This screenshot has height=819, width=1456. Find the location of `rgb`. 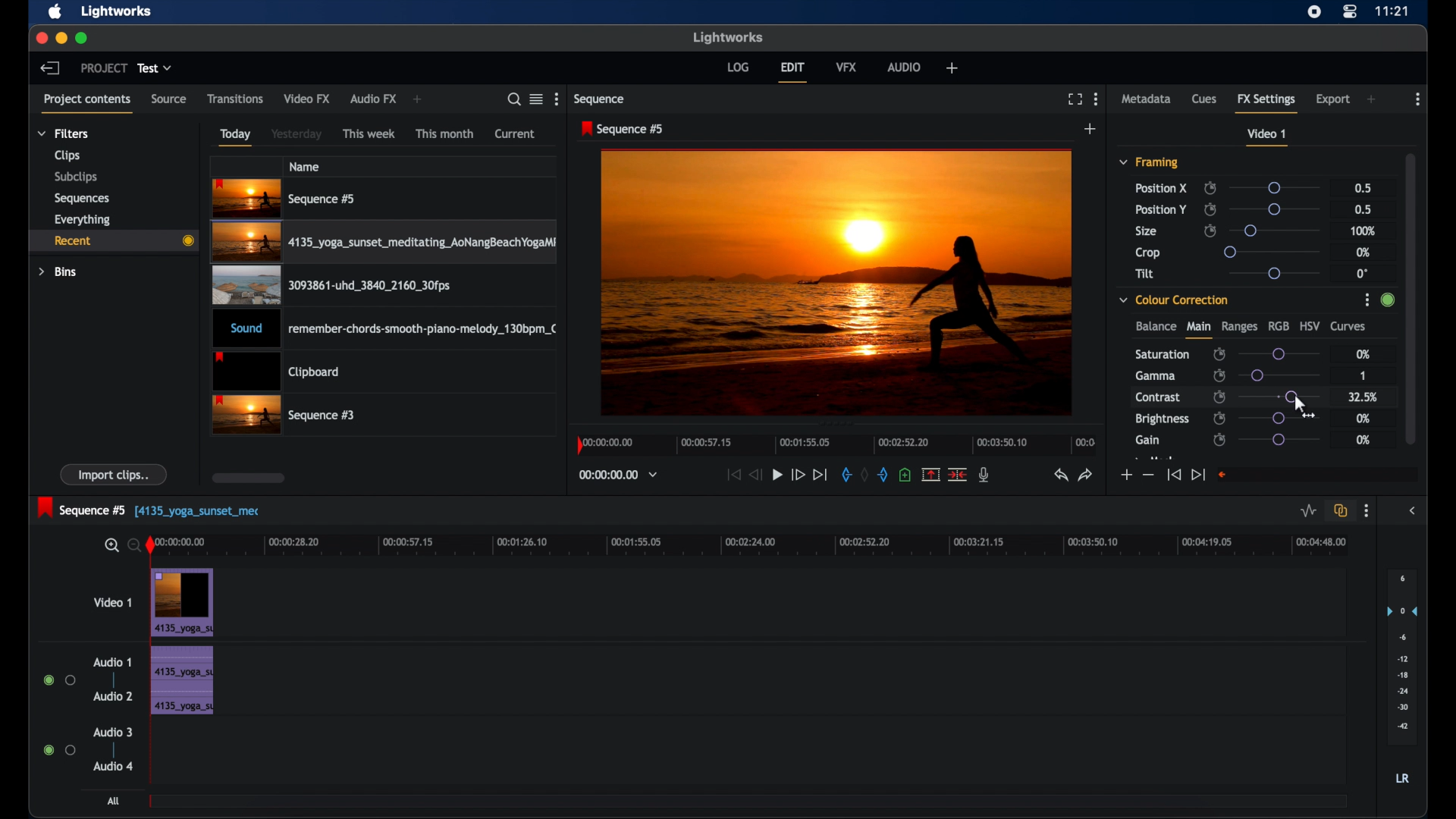

rgb is located at coordinates (1279, 325).